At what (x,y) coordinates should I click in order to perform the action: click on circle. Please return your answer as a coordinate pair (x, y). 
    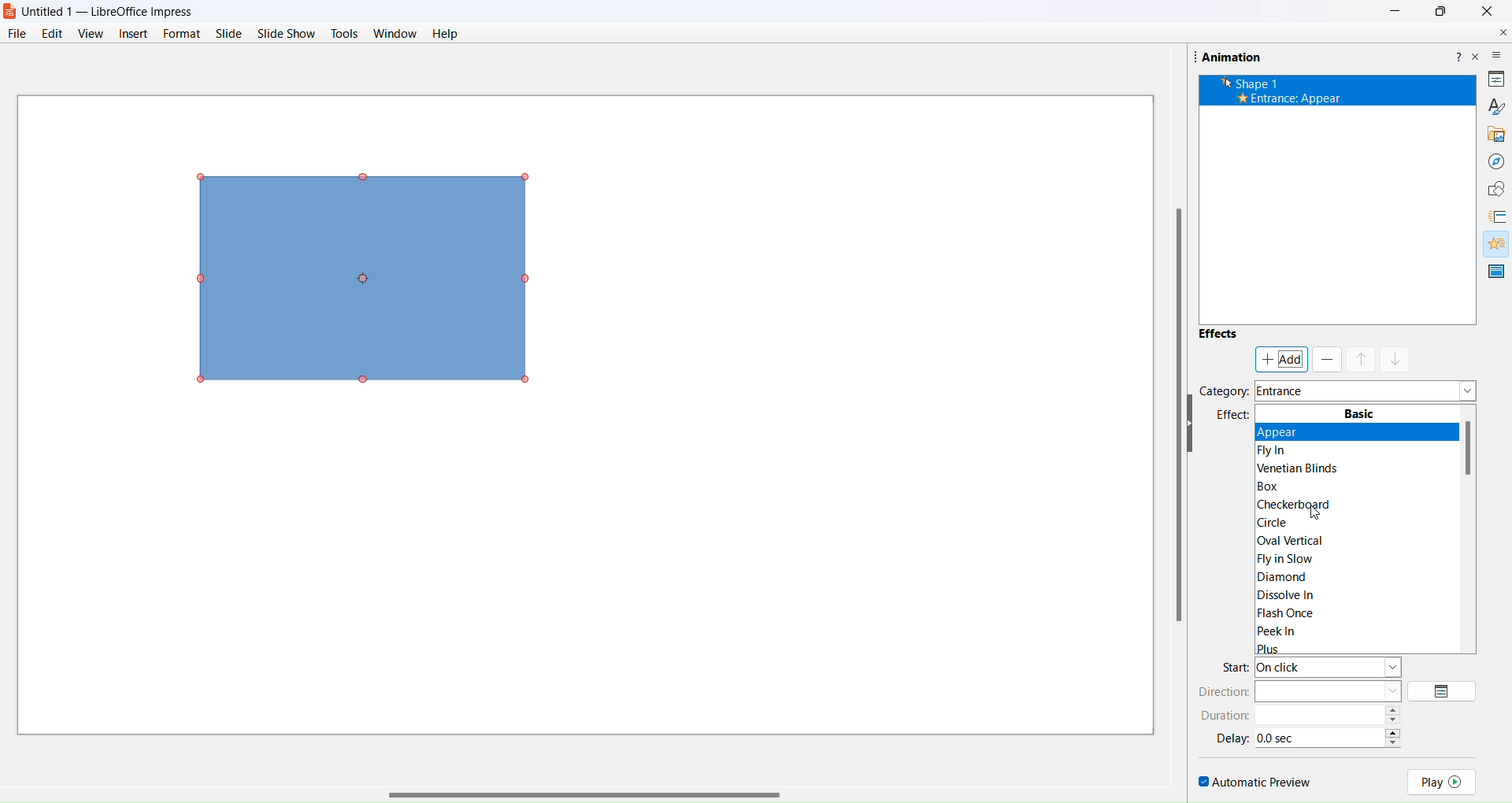
    Looking at the image, I should click on (1287, 520).